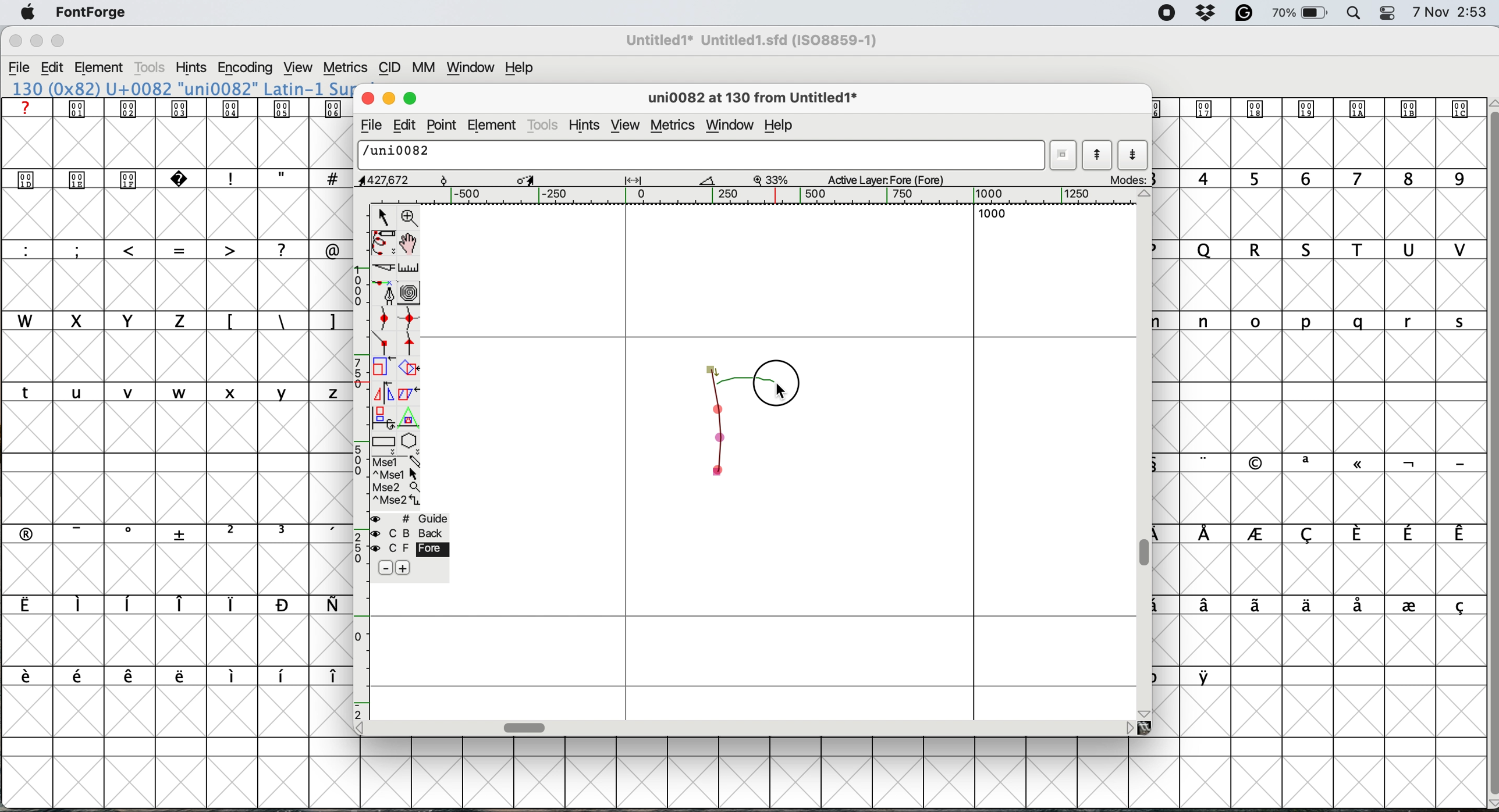 Image resolution: width=1499 pixels, height=812 pixels. Describe the element at coordinates (409, 533) in the screenshot. I see `back` at that location.